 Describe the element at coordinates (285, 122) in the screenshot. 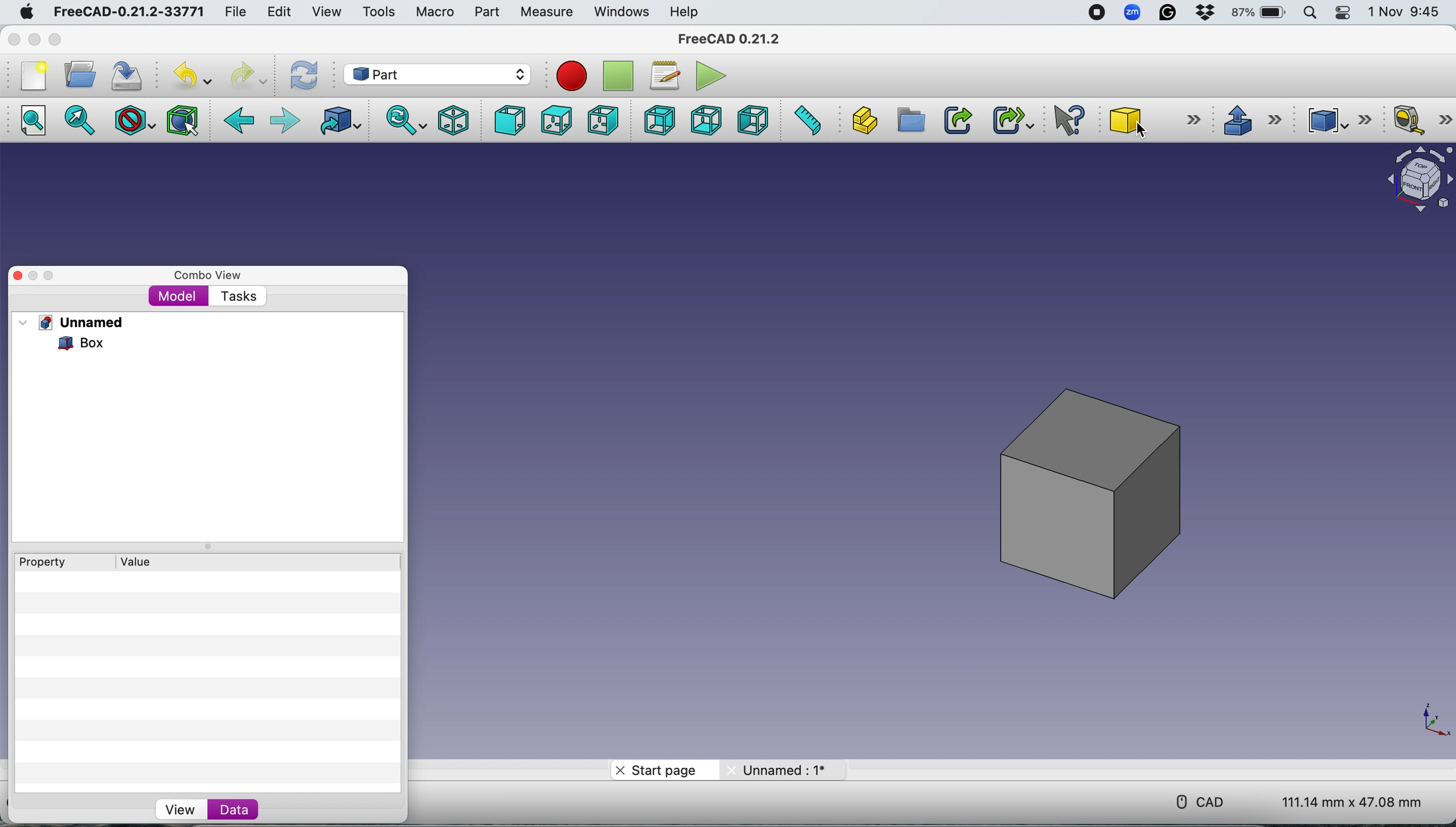

I see `Forward` at that location.